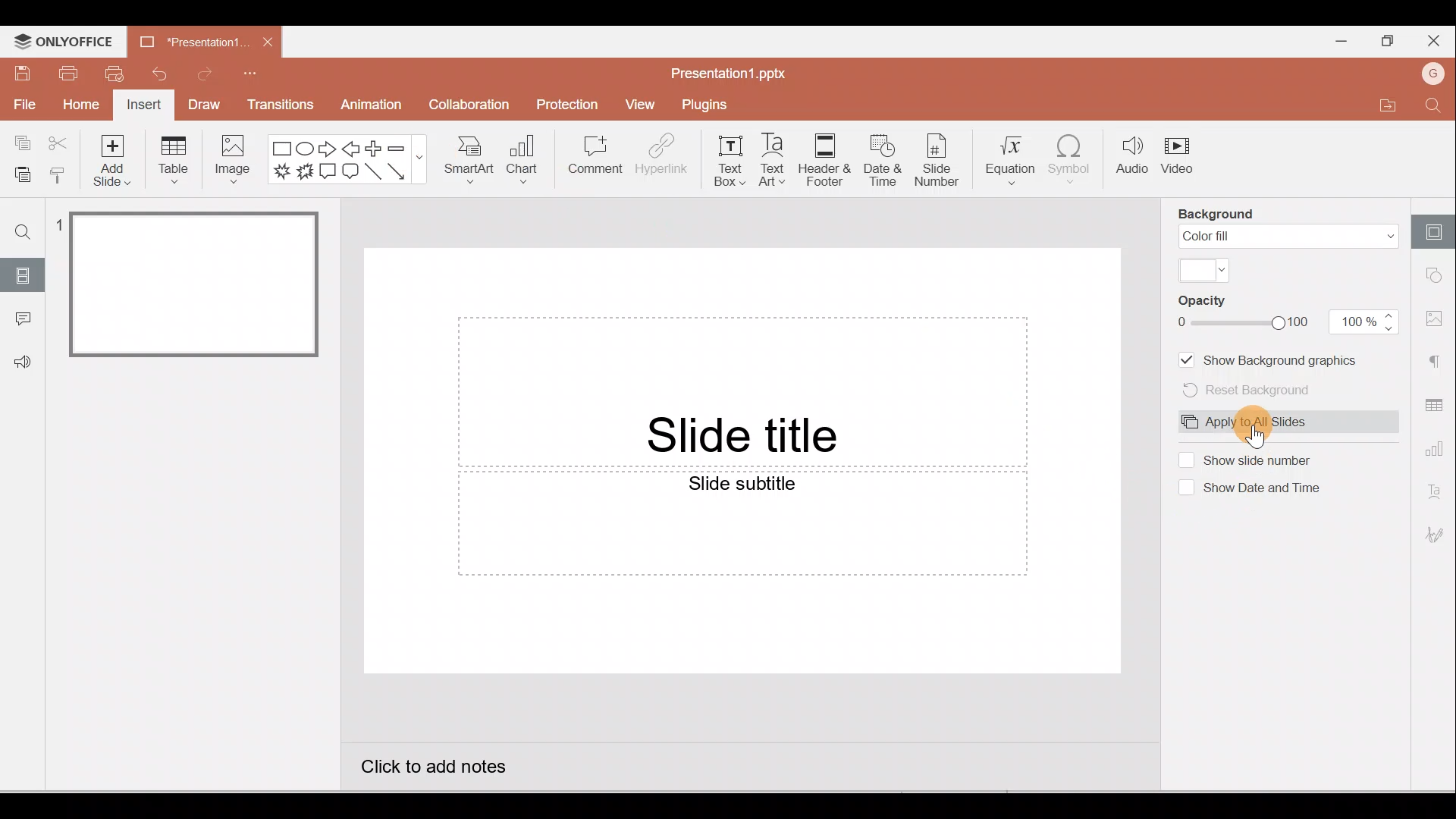 The height and width of the screenshot is (819, 1456). Describe the element at coordinates (730, 159) in the screenshot. I see `Text box` at that location.